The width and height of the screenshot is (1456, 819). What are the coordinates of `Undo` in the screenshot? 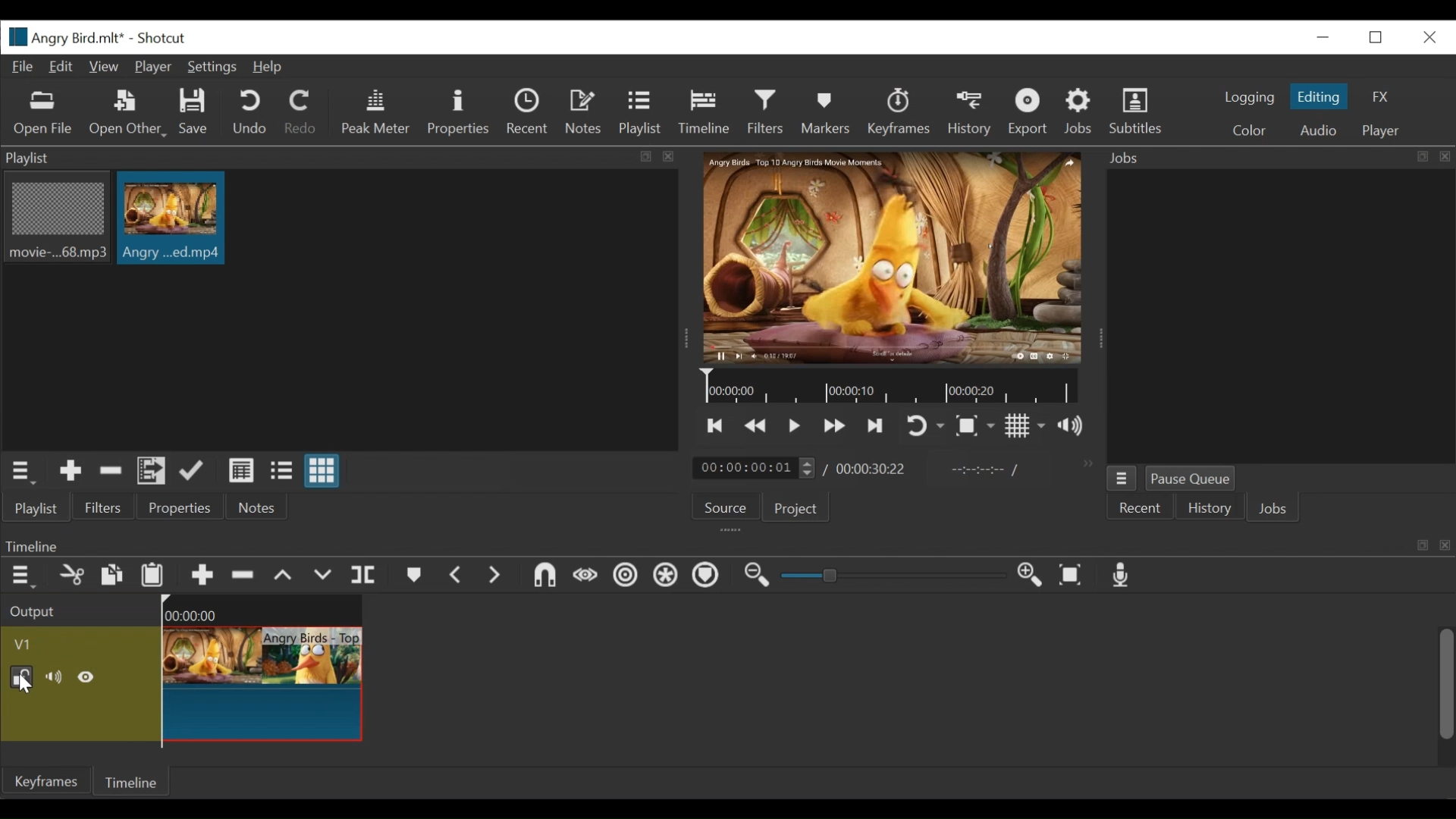 It's located at (249, 113).